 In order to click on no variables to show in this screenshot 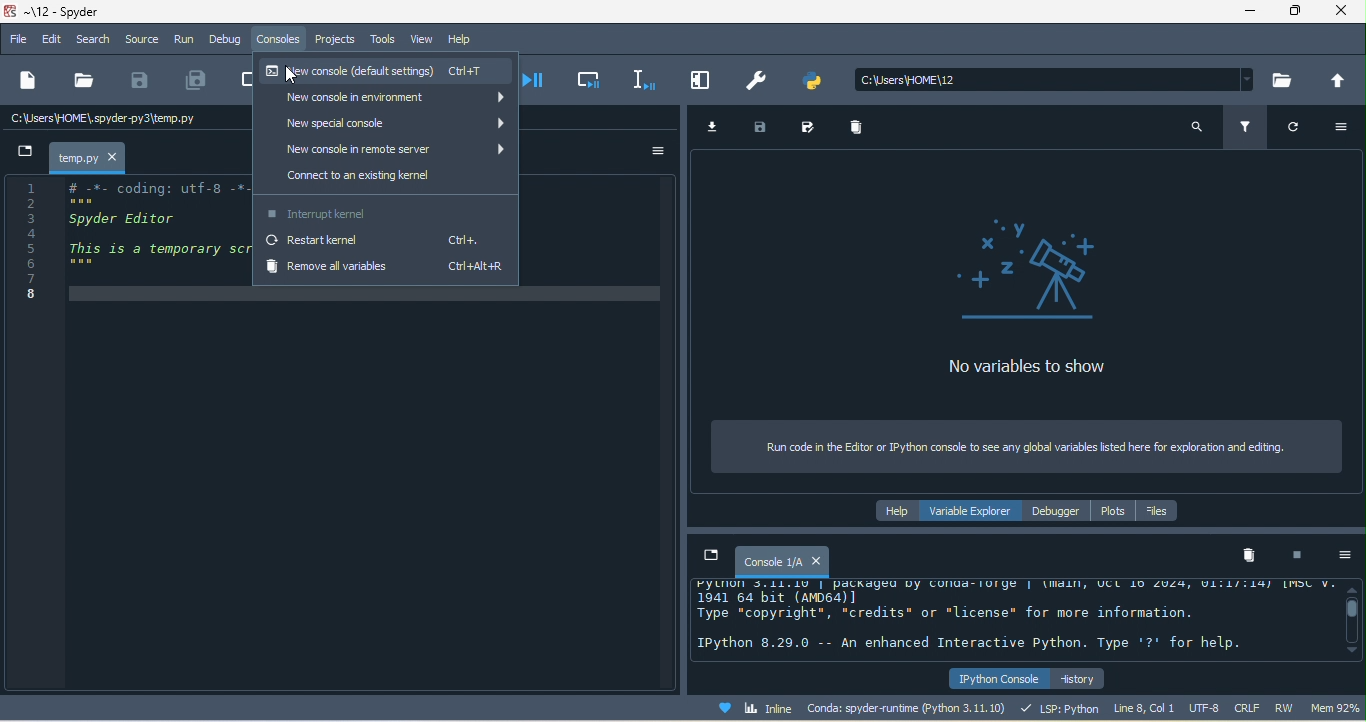, I will do `click(1022, 297)`.